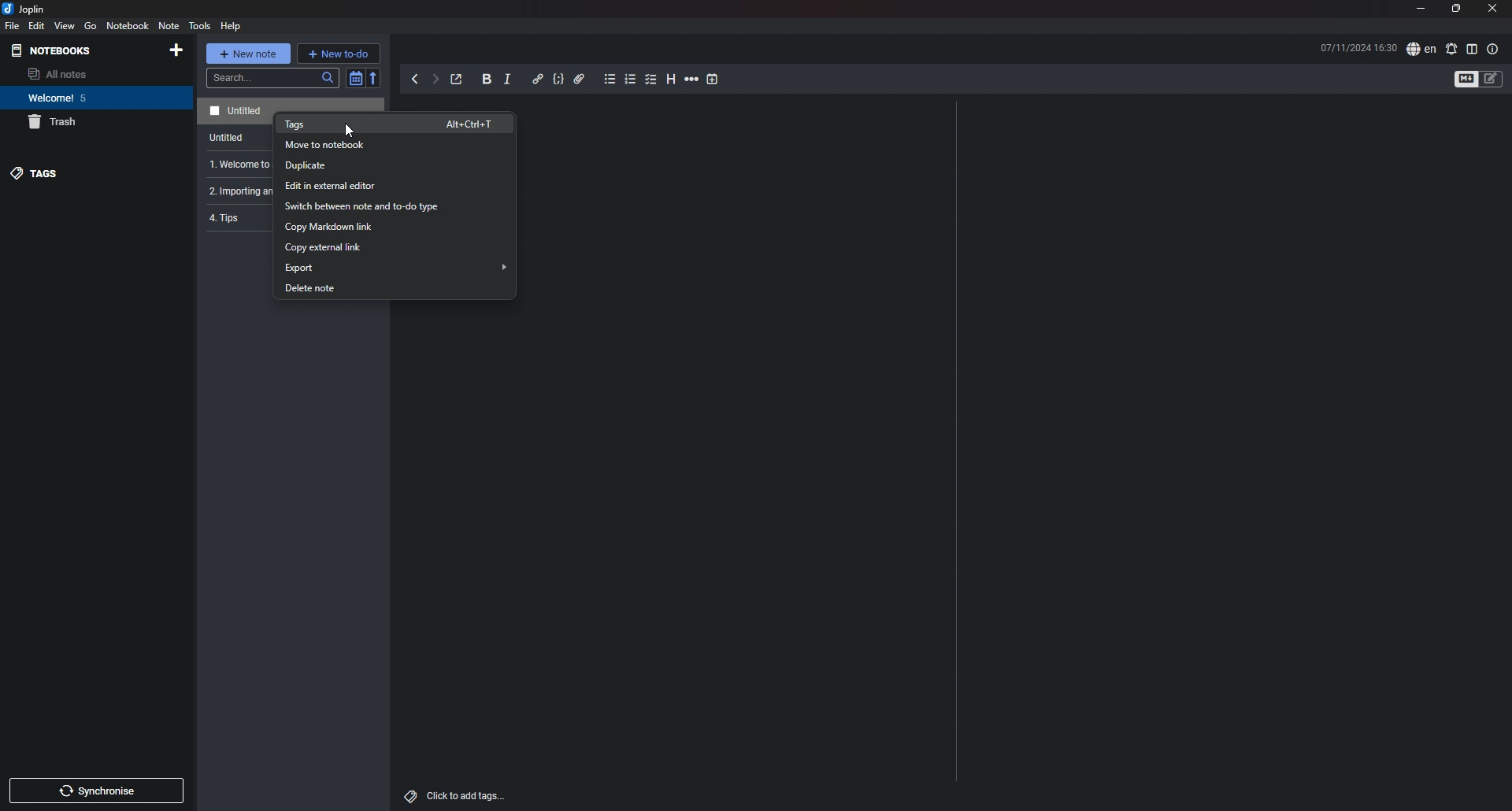 This screenshot has height=811, width=1512. I want to click on attachment, so click(580, 79).